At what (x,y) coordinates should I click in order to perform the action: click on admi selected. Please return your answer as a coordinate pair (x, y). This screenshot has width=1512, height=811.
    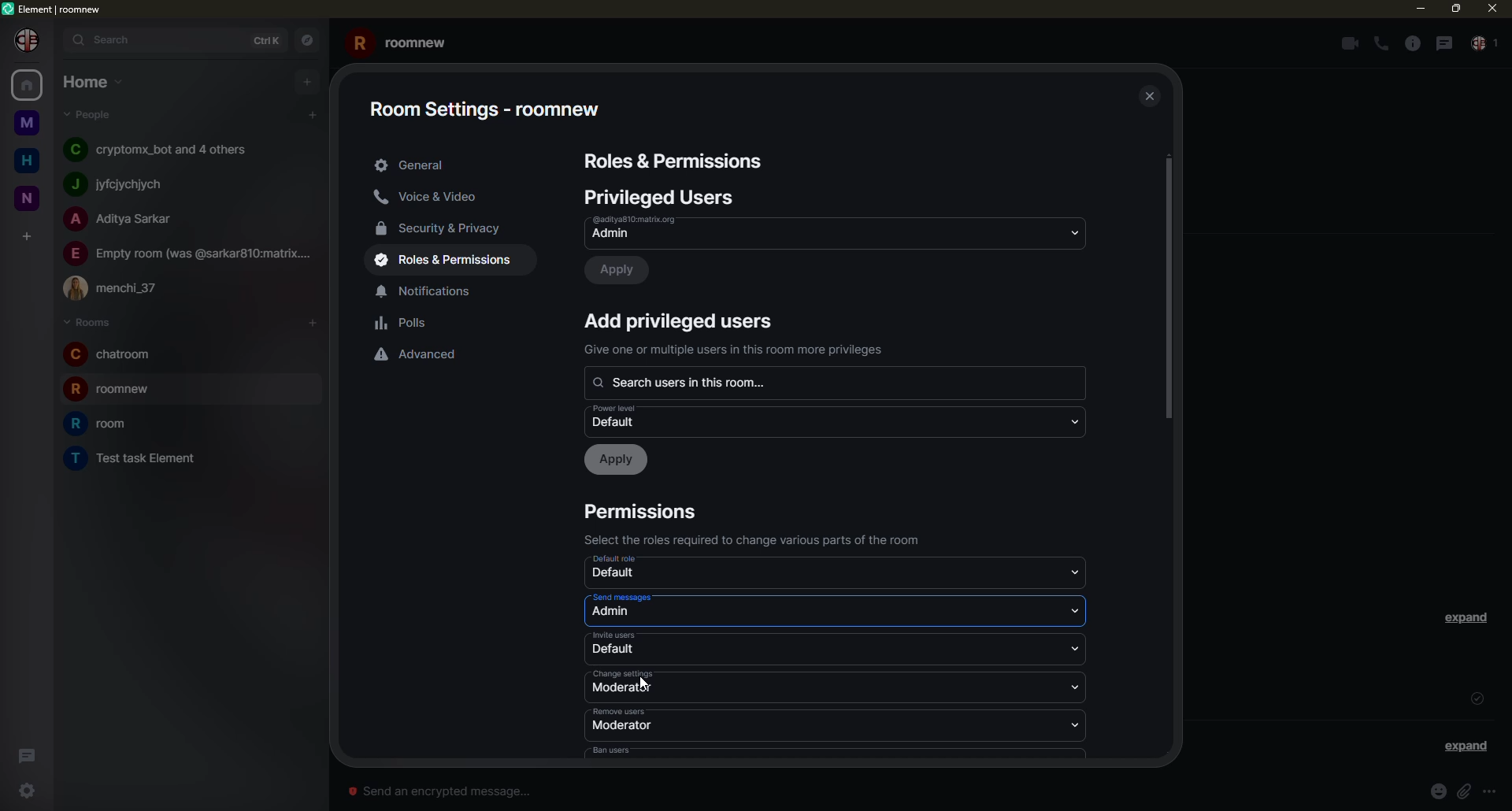
    Looking at the image, I should click on (619, 613).